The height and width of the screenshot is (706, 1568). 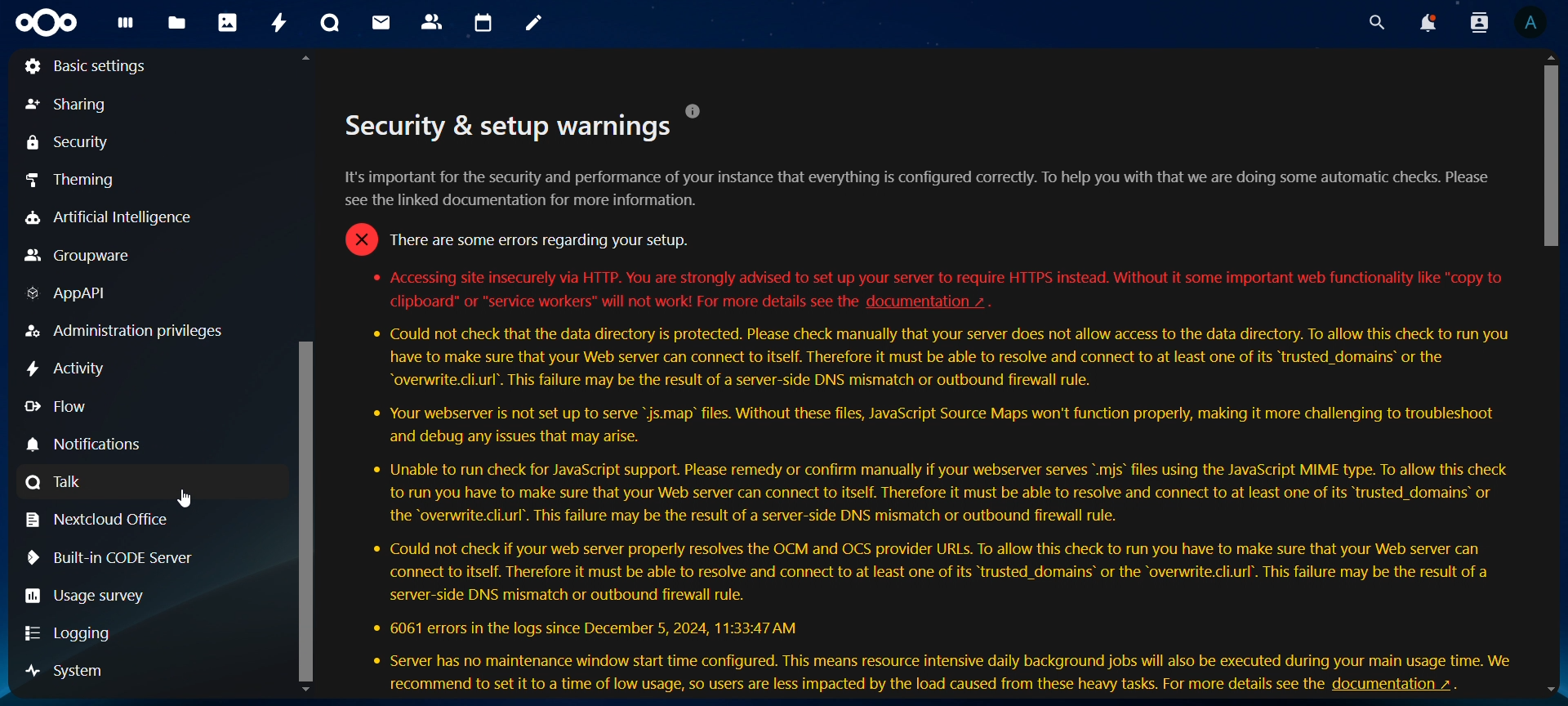 I want to click on contact, so click(x=435, y=23).